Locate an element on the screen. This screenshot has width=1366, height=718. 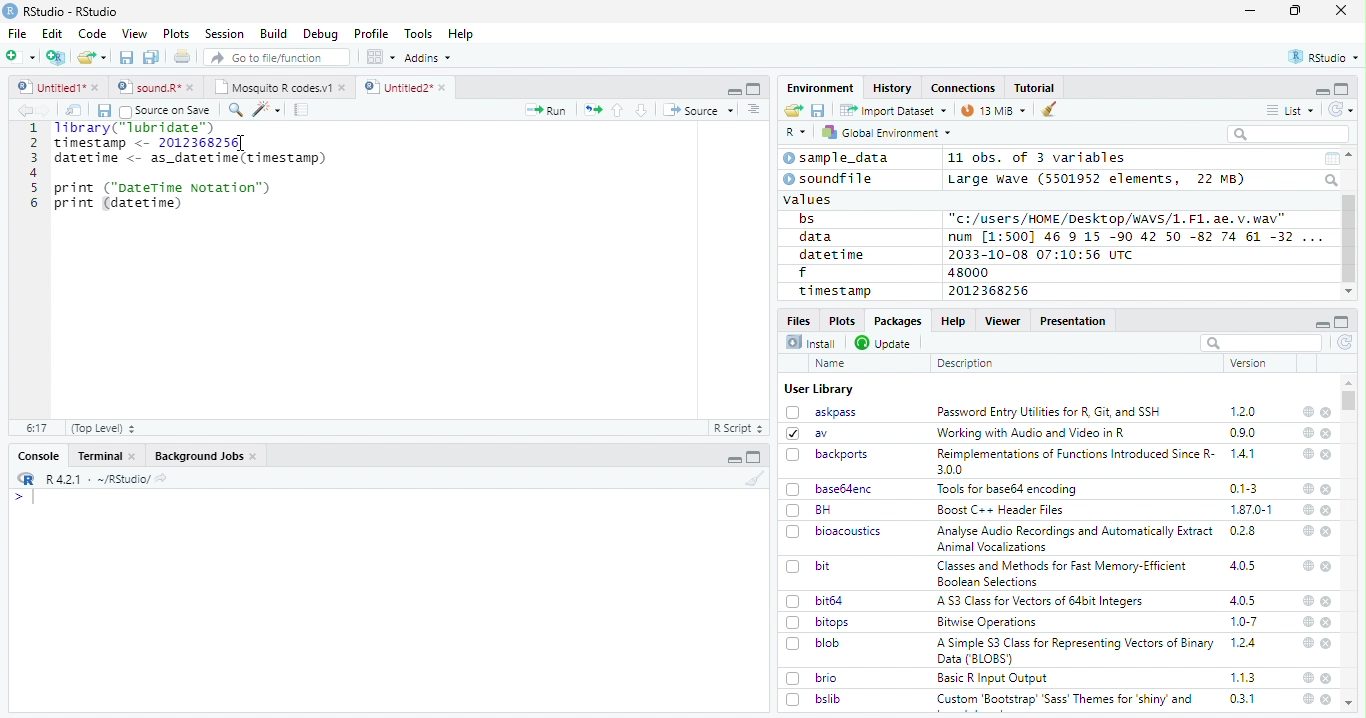
Build is located at coordinates (273, 34).